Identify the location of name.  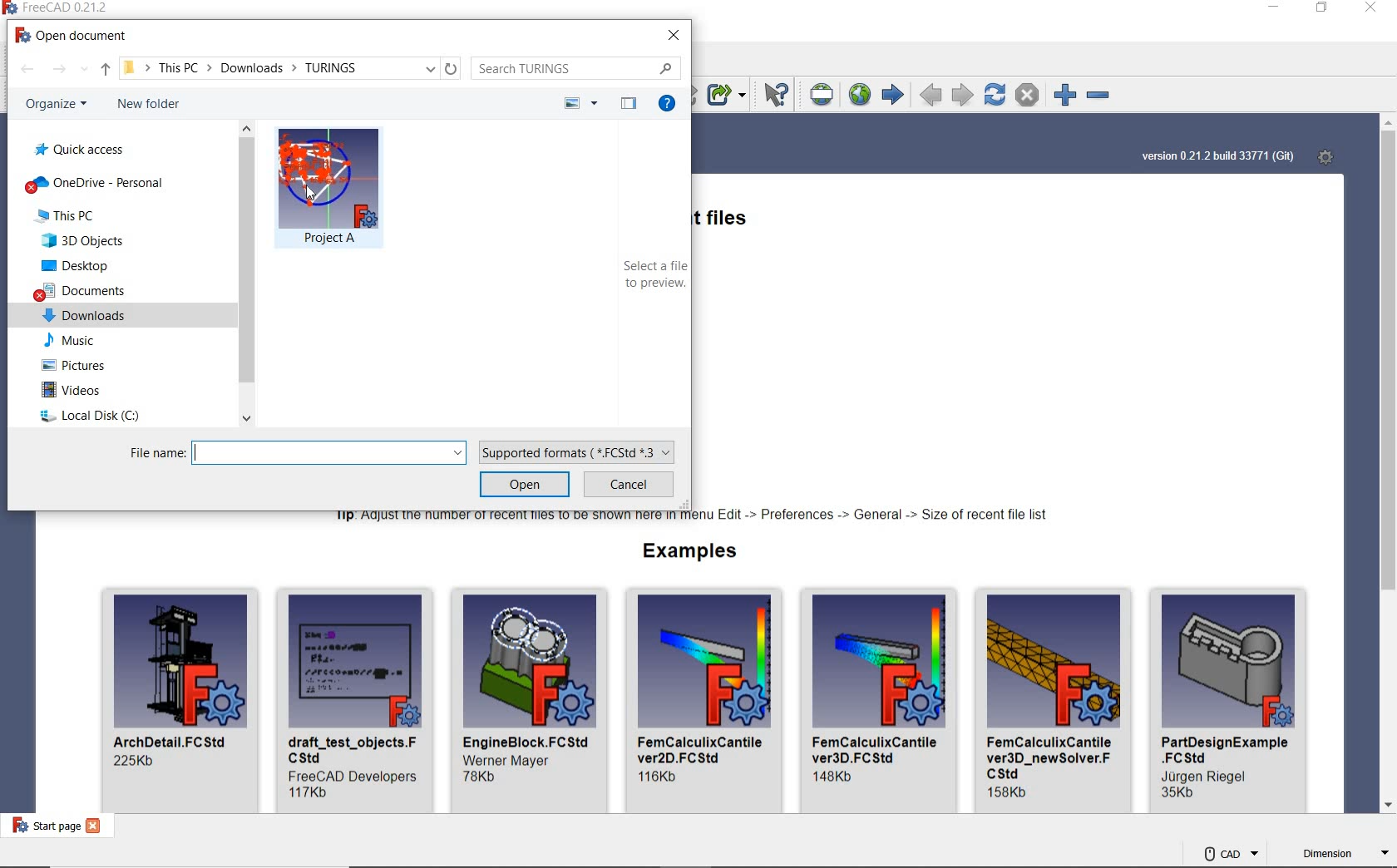
(879, 749).